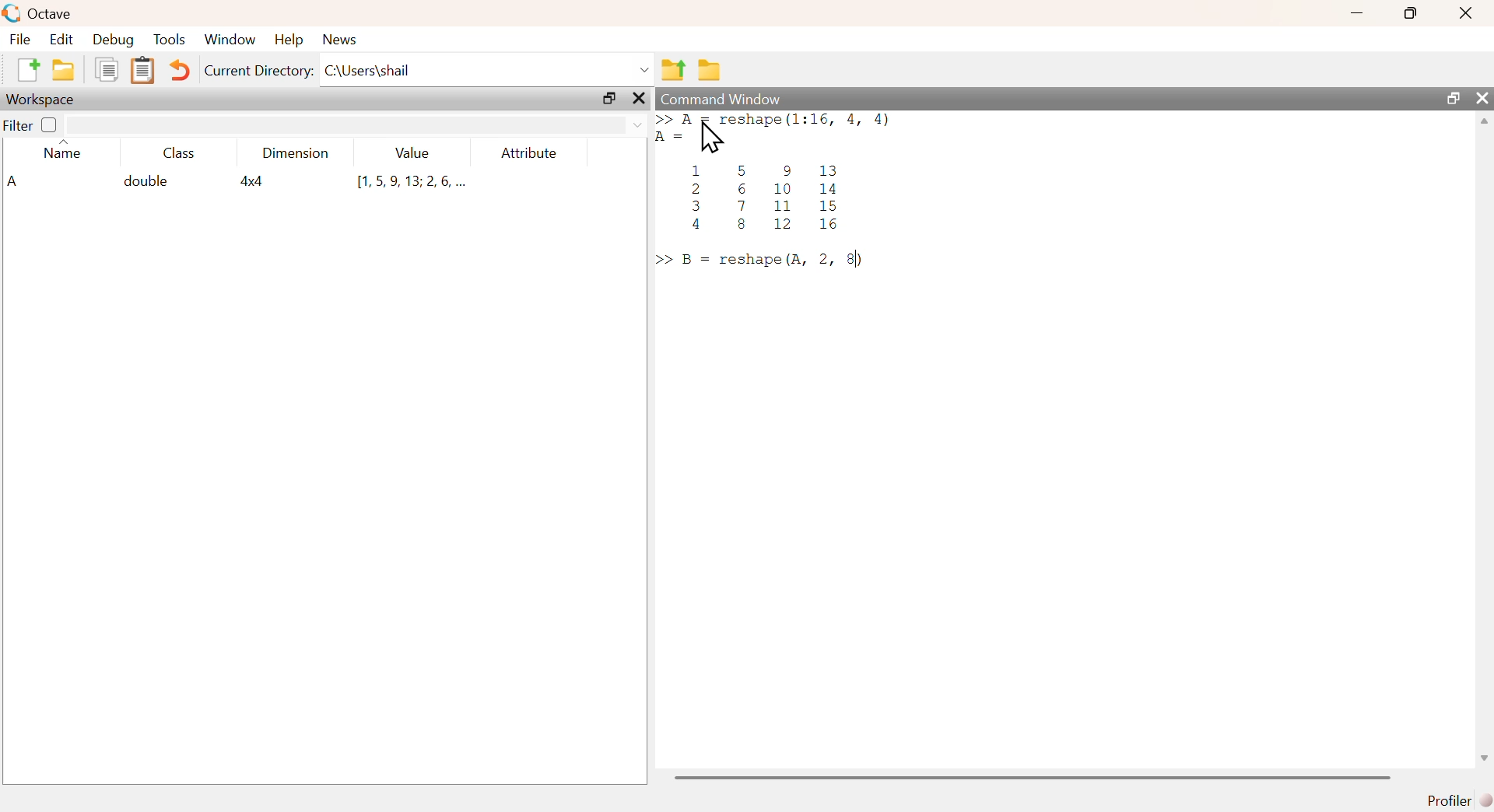  I want to click on Tools, so click(170, 39).